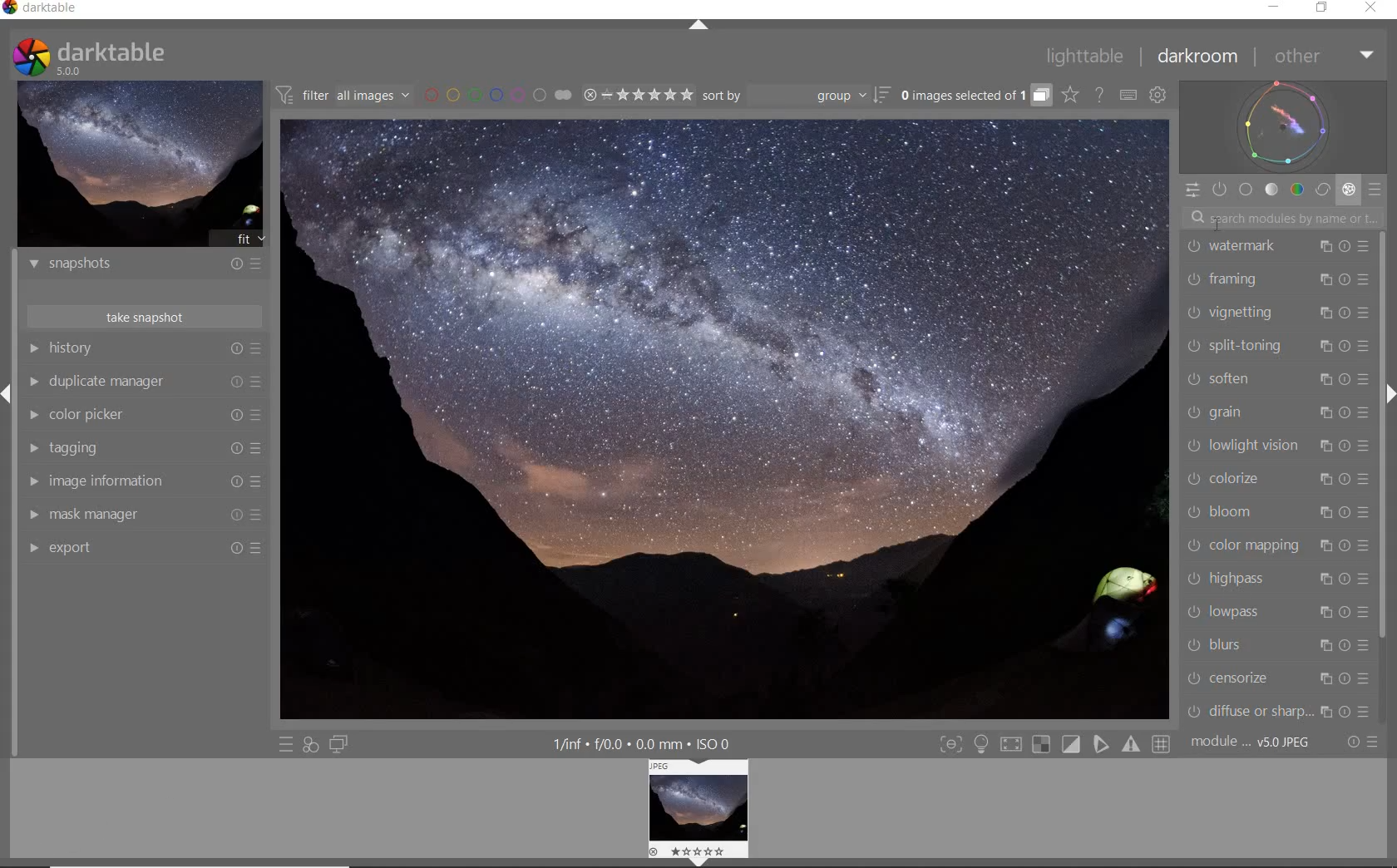  I want to click on EXPAND GROUPED IMAGES, so click(975, 96).